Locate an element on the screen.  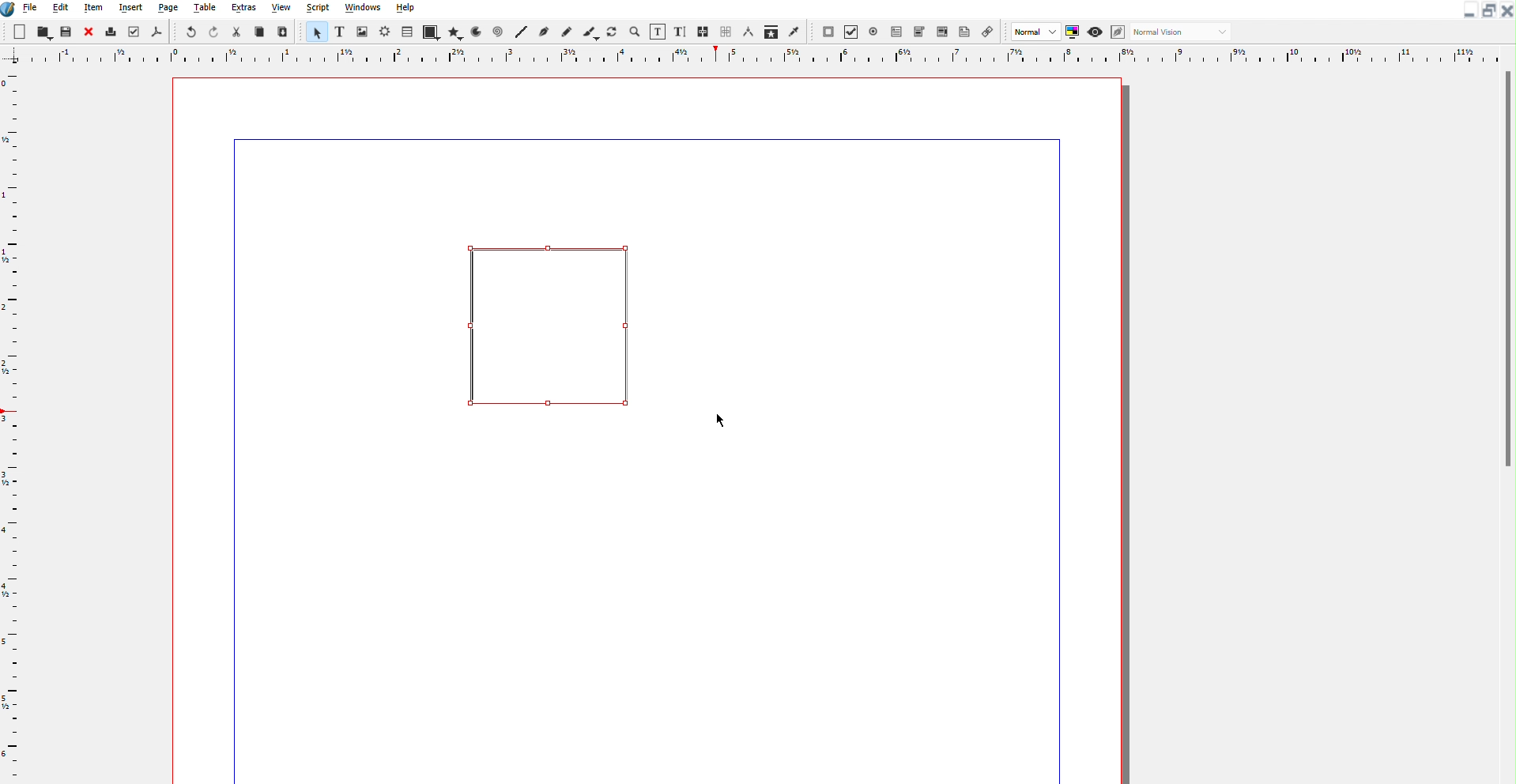
Undo is located at coordinates (190, 32).